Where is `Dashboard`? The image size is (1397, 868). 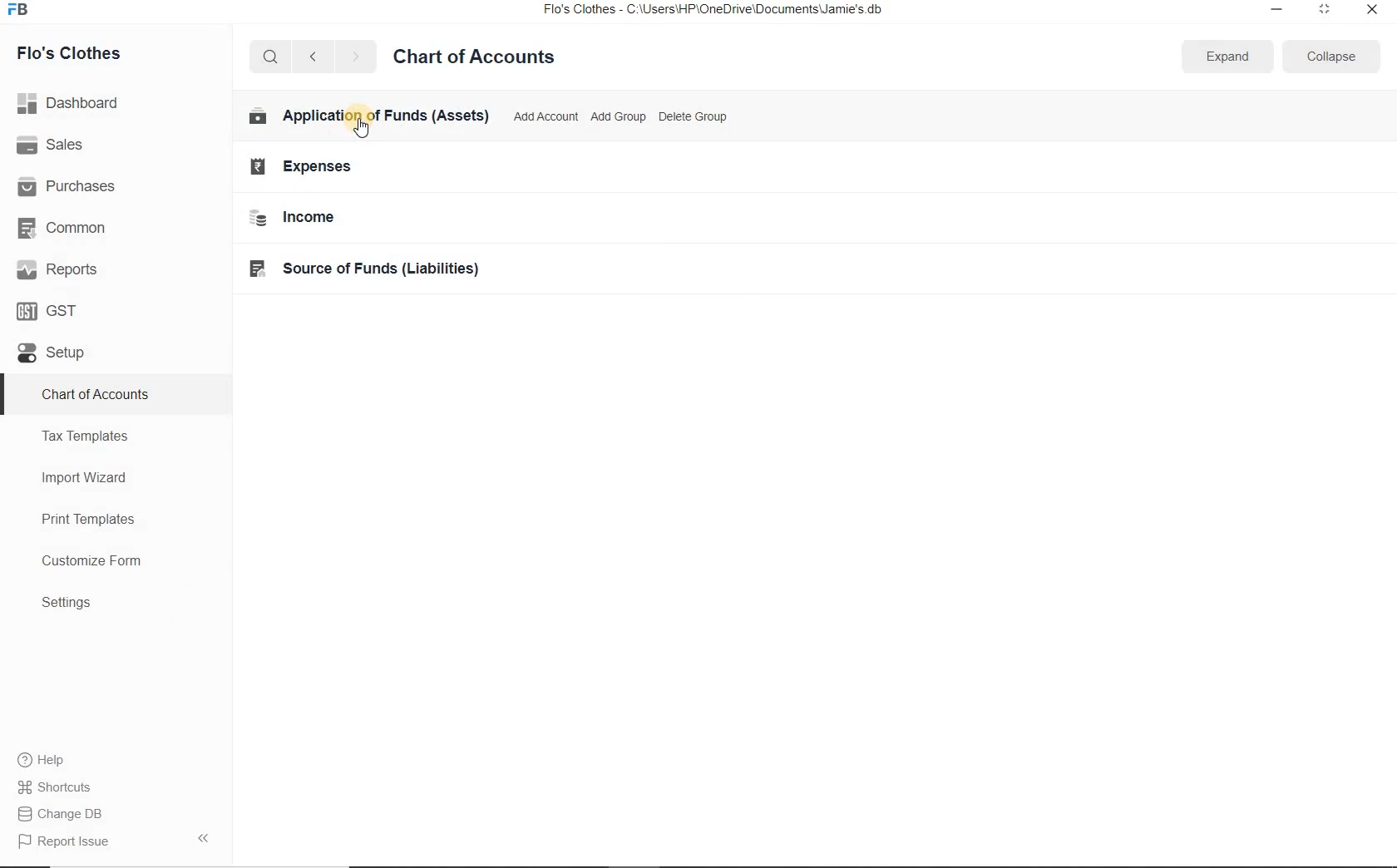
Dashboard is located at coordinates (74, 101).